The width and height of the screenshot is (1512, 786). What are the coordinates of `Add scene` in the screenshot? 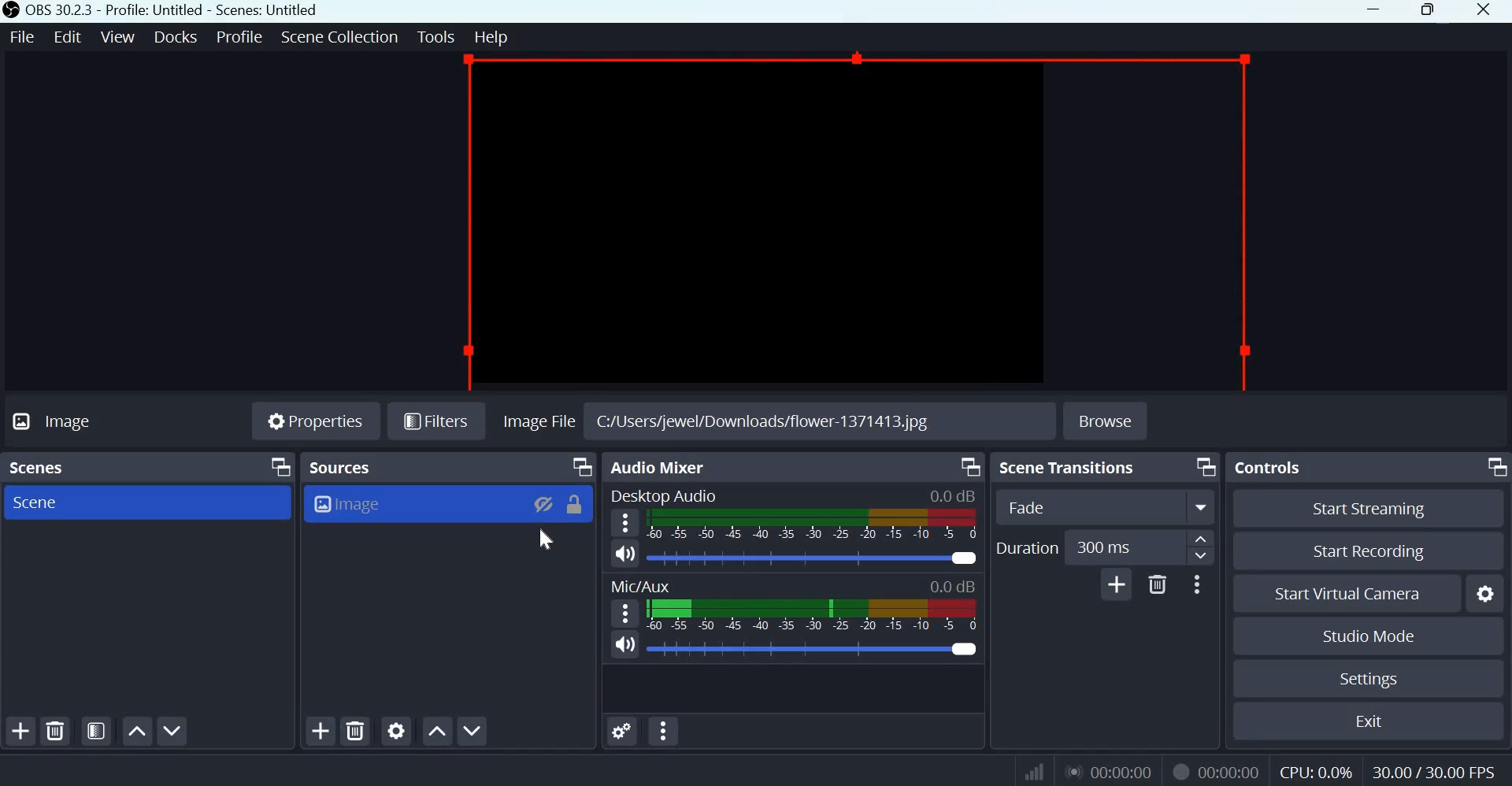 It's located at (20, 731).